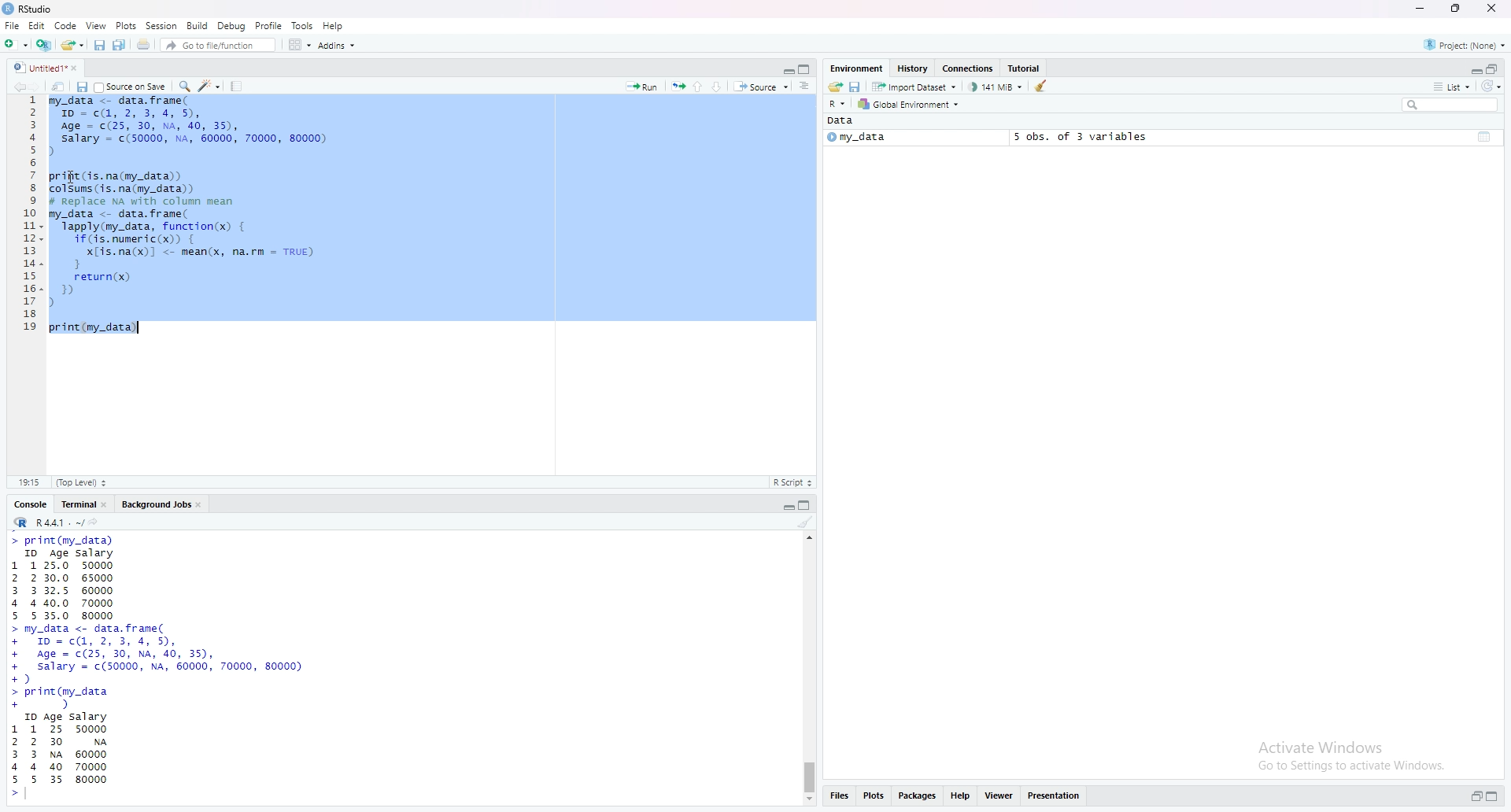 The width and height of the screenshot is (1511, 812). What do you see at coordinates (834, 87) in the screenshot?
I see `load workspace` at bounding box center [834, 87].